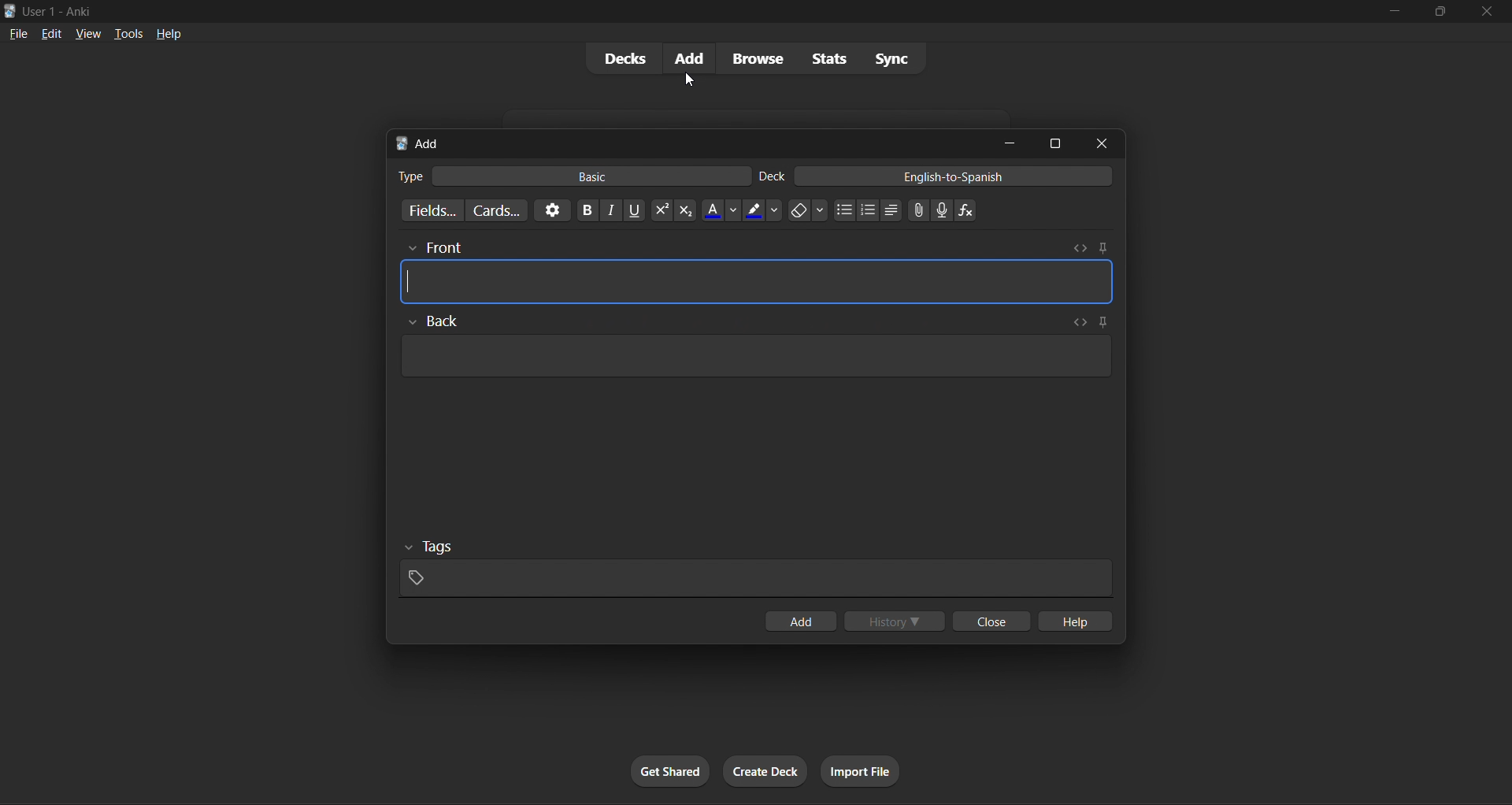  I want to click on sync, so click(890, 56).